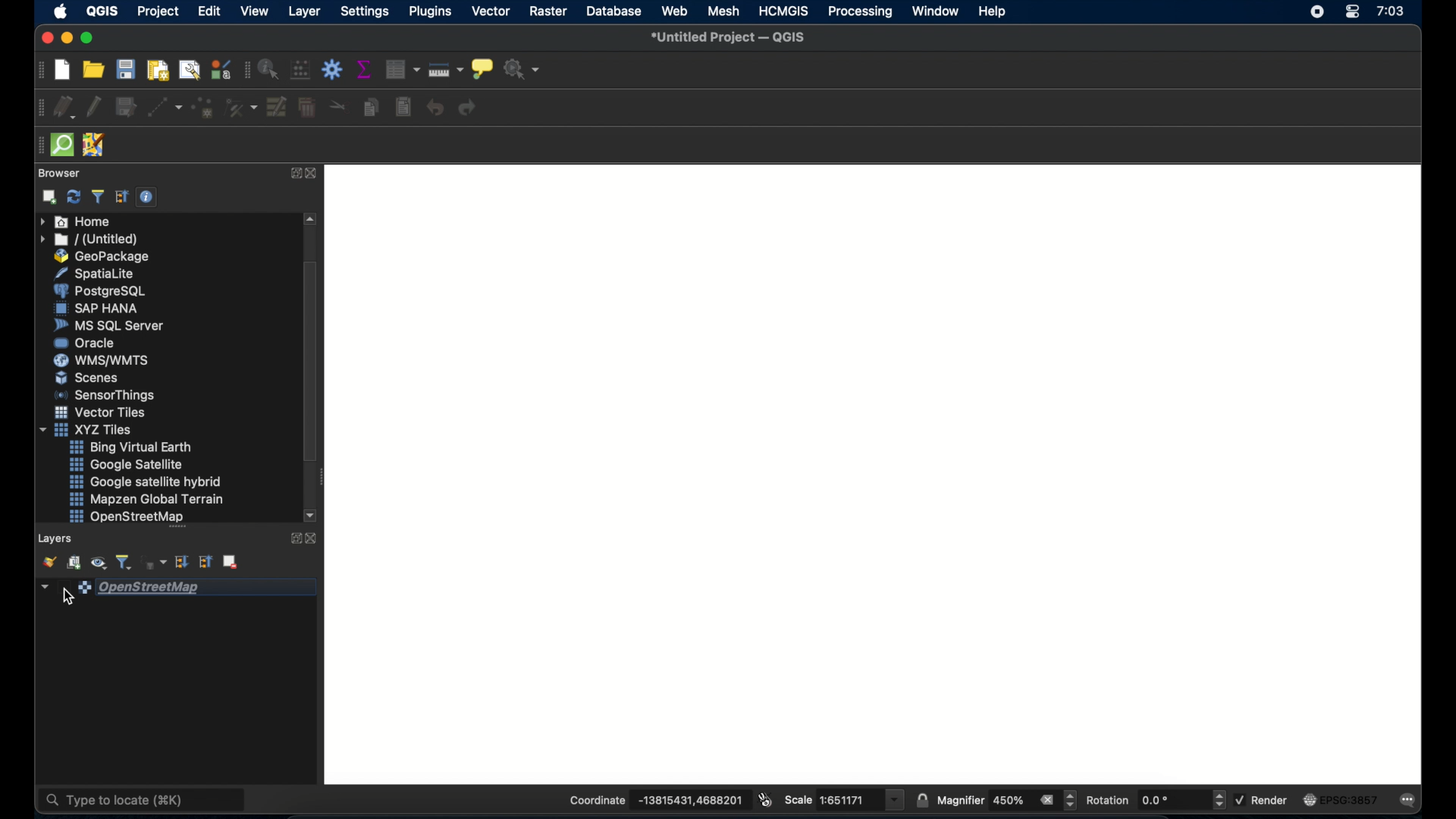 Image resolution: width=1456 pixels, height=819 pixels. I want to click on open attribute table, so click(403, 71).